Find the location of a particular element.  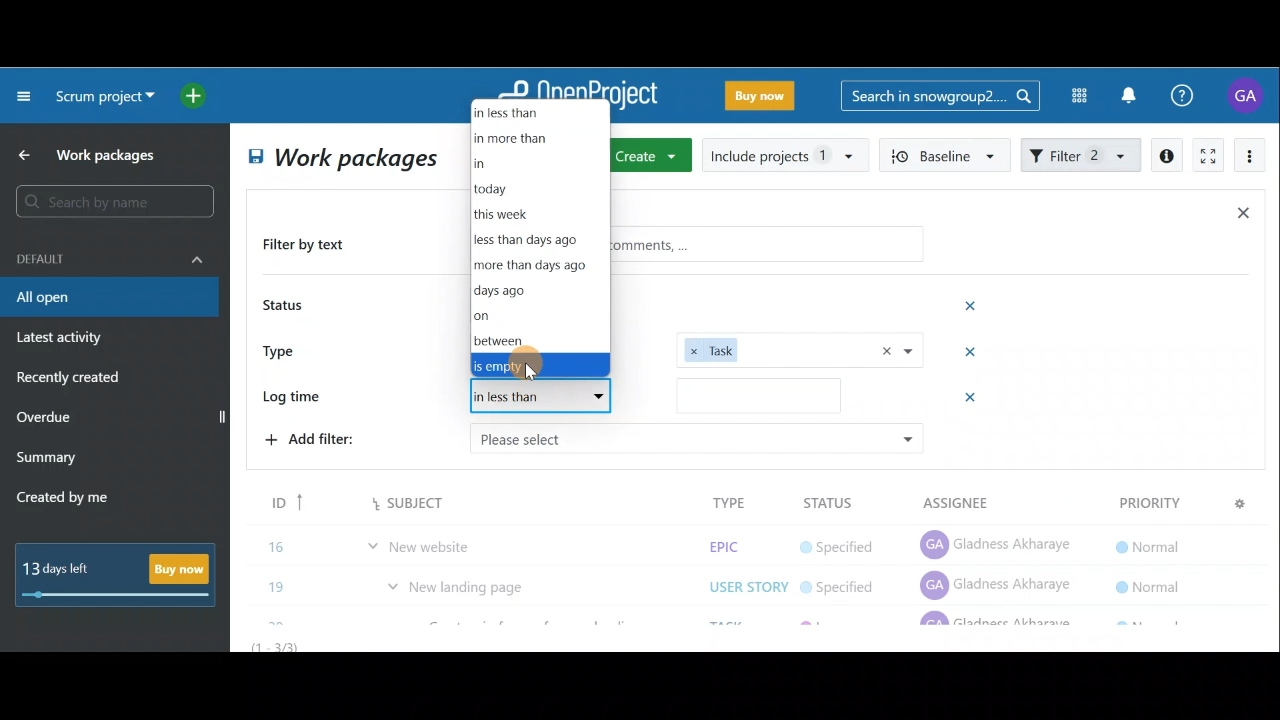

Buy now is located at coordinates (764, 99).